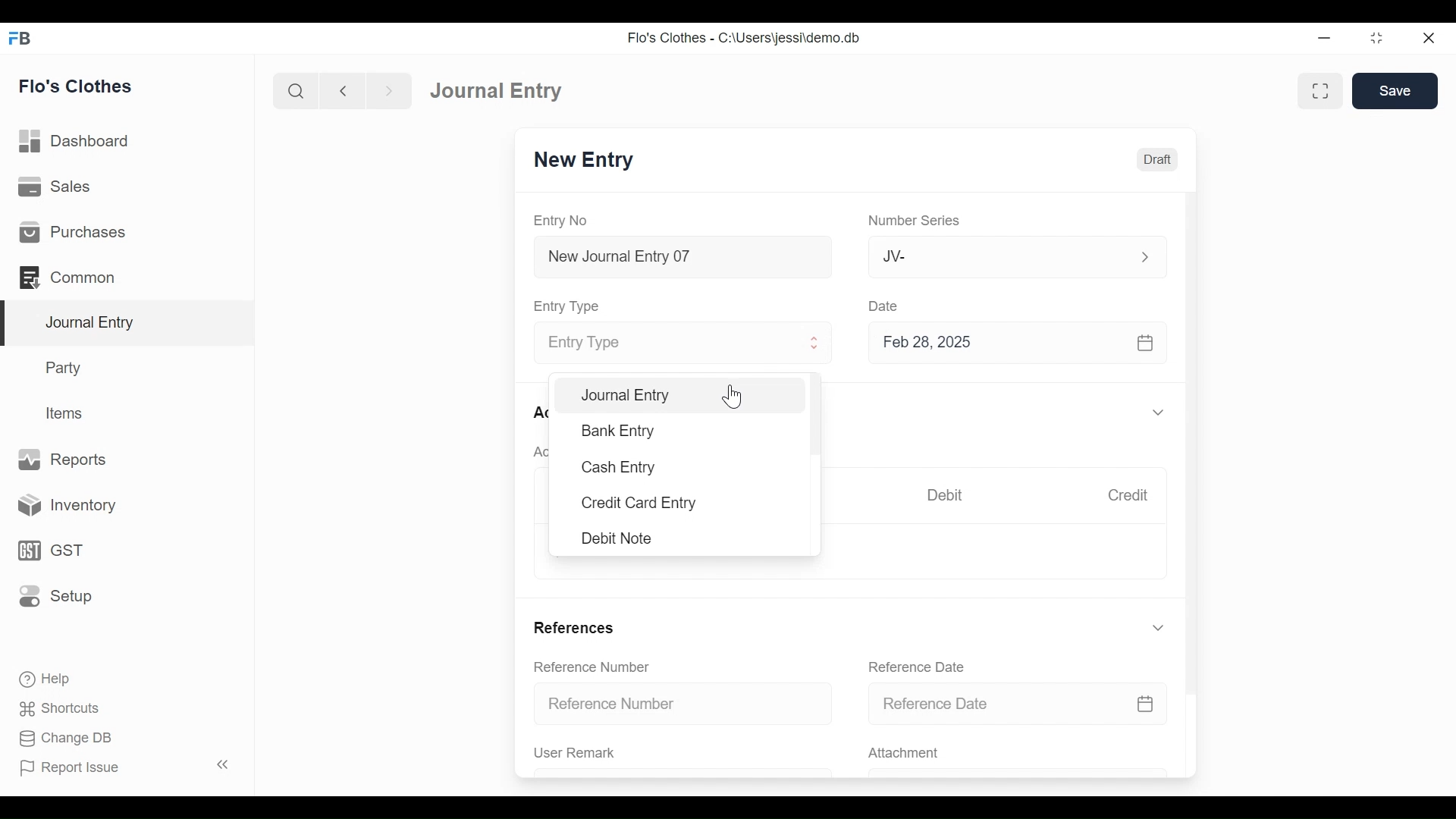 The width and height of the screenshot is (1456, 819). What do you see at coordinates (990, 257) in the screenshot?
I see `JV-` at bounding box center [990, 257].